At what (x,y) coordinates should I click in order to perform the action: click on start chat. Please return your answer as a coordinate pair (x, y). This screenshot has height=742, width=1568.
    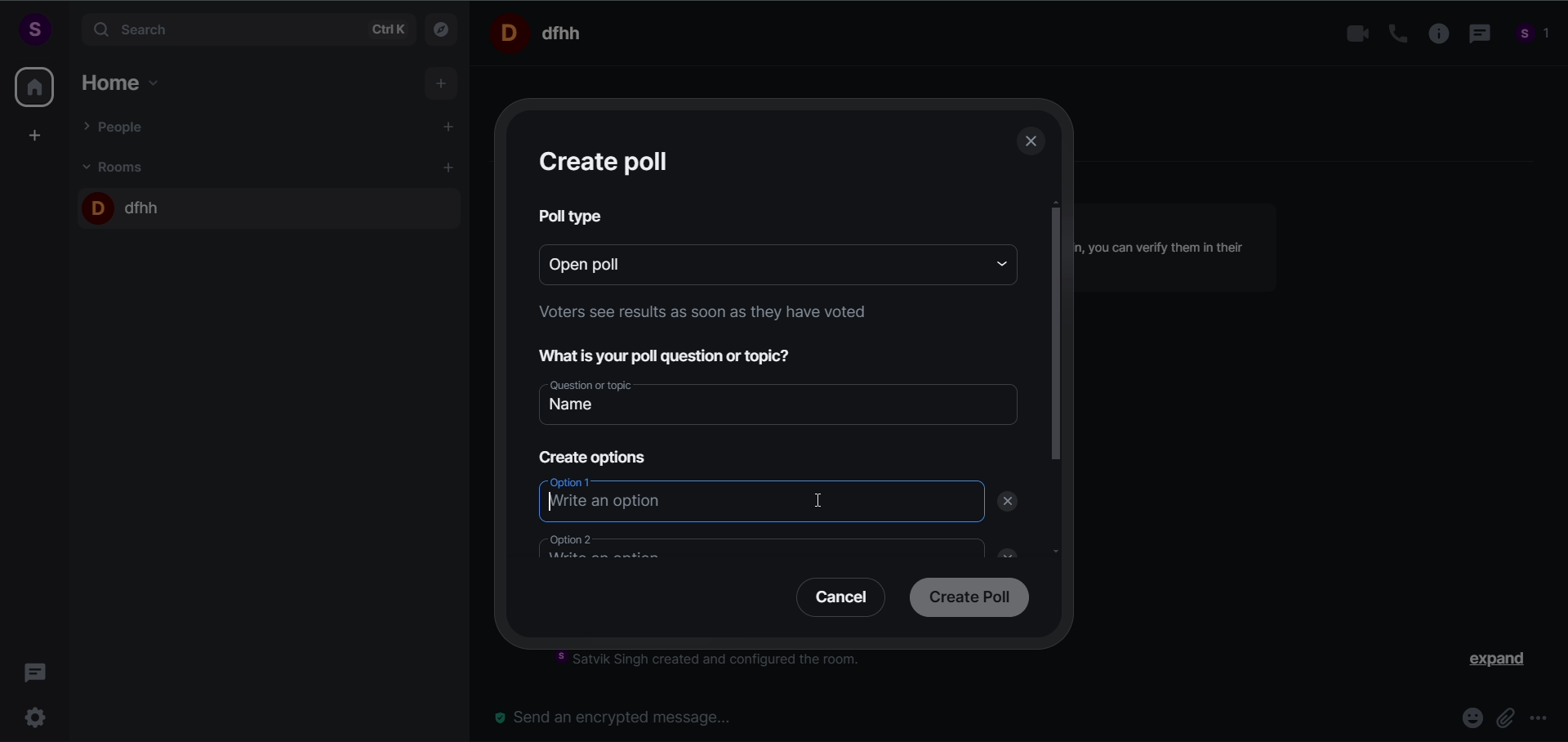
    Looking at the image, I should click on (450, 128).